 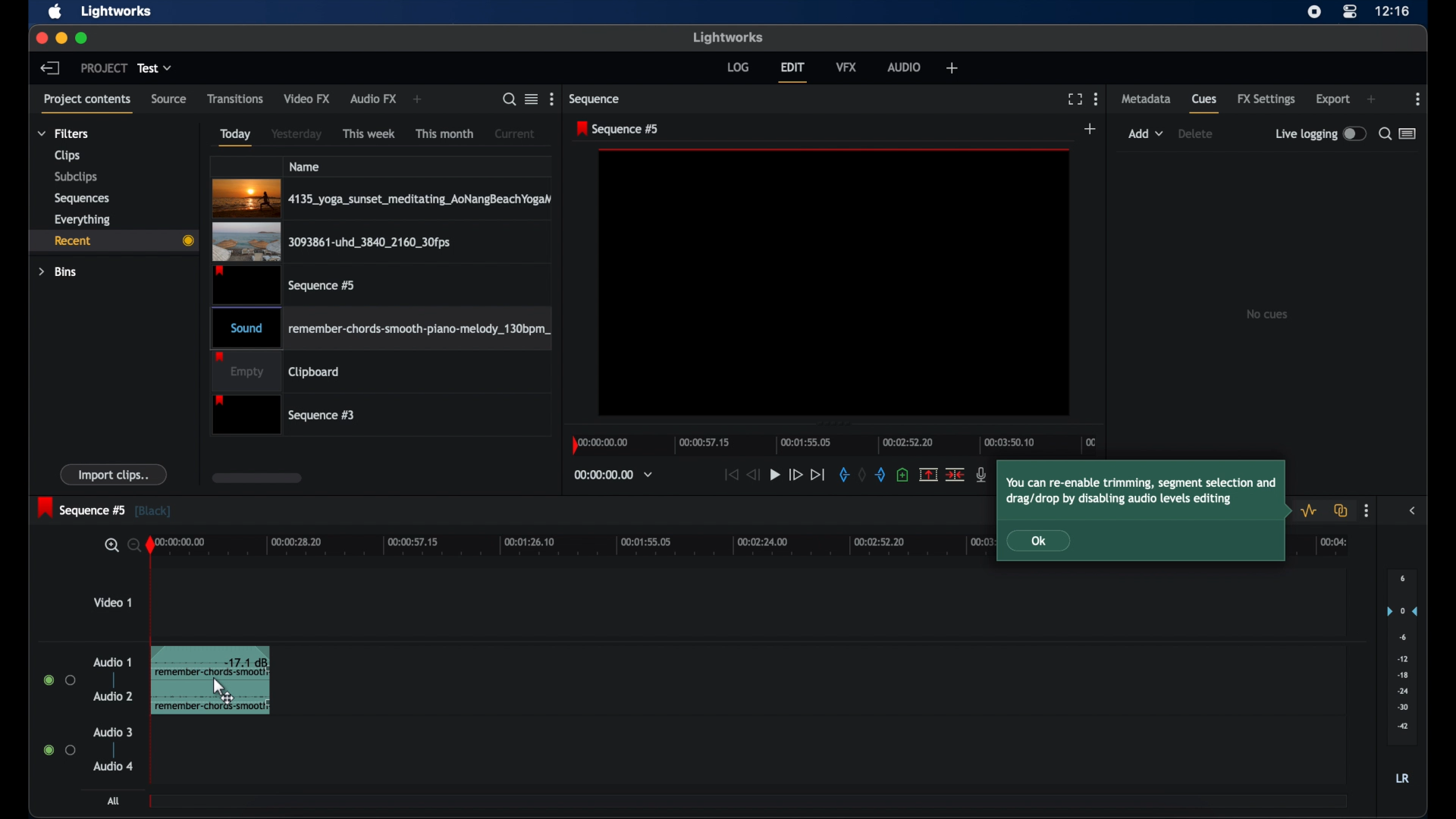 I want to click on toggle list or logger view, so click(x=1409, y=133).